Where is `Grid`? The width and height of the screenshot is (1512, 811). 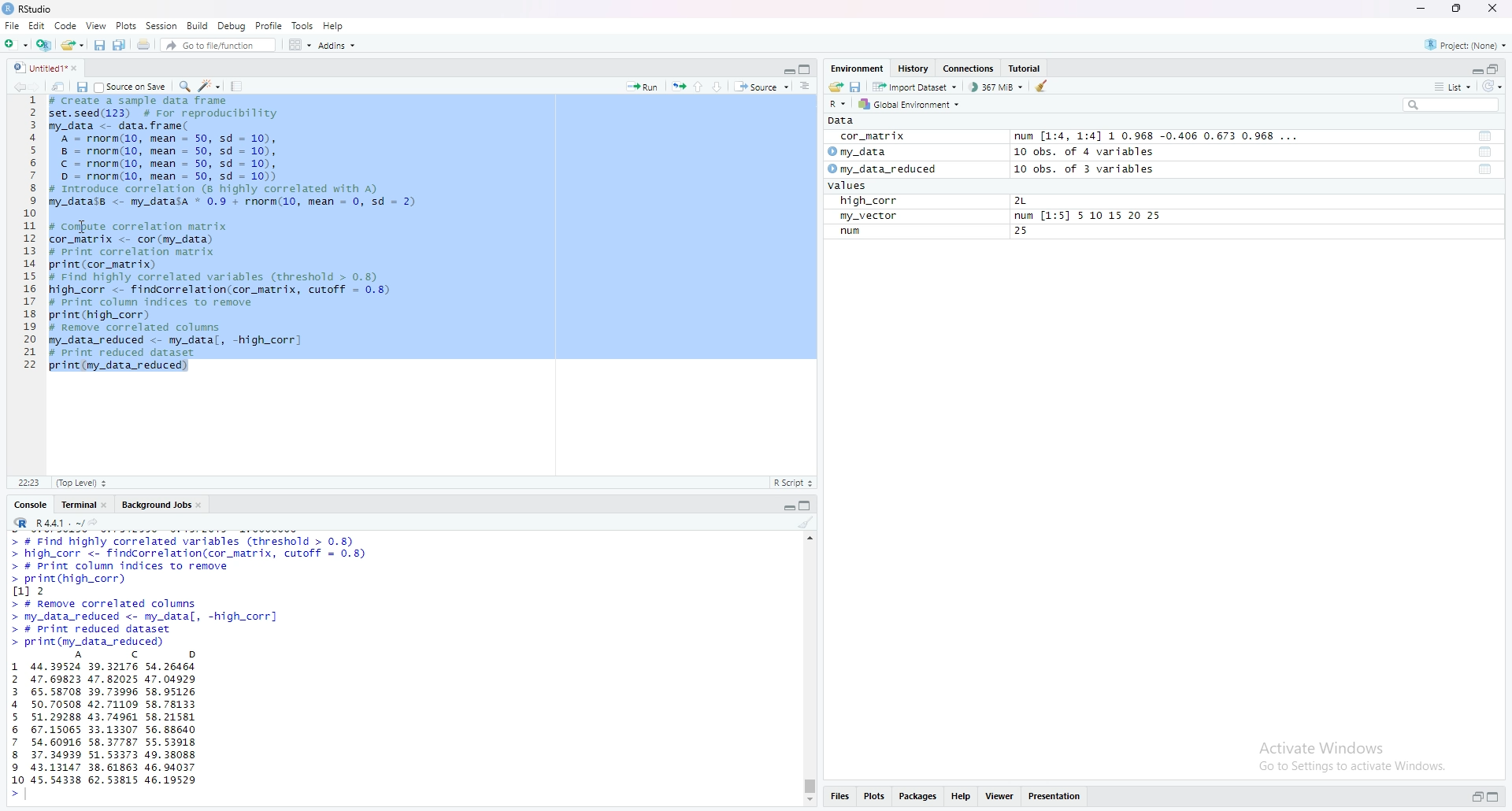
Grid is located at coordinates (302, 46).